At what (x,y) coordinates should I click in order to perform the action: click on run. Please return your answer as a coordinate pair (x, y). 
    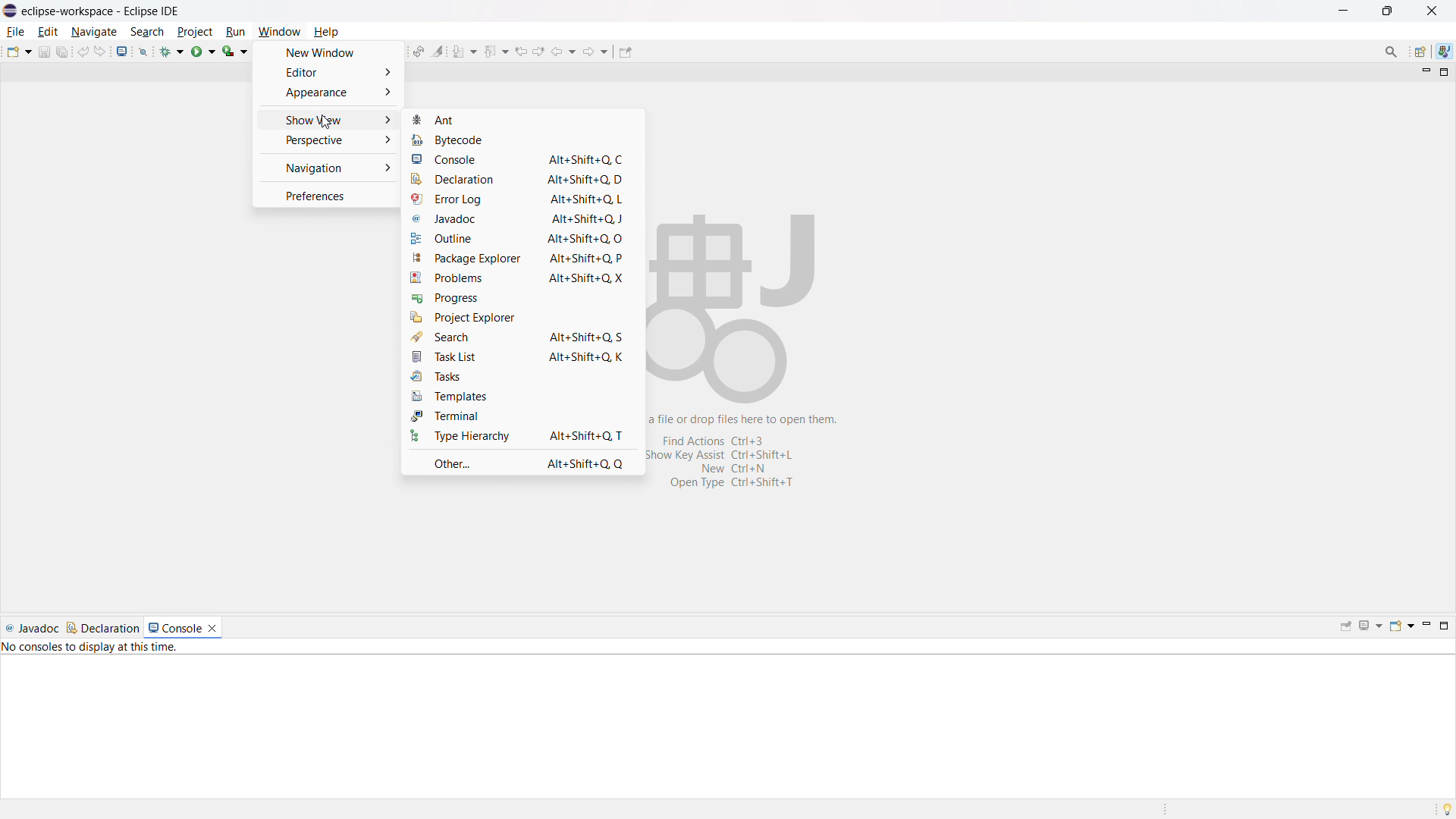
    Looking at the image, I should click on (236, 32).